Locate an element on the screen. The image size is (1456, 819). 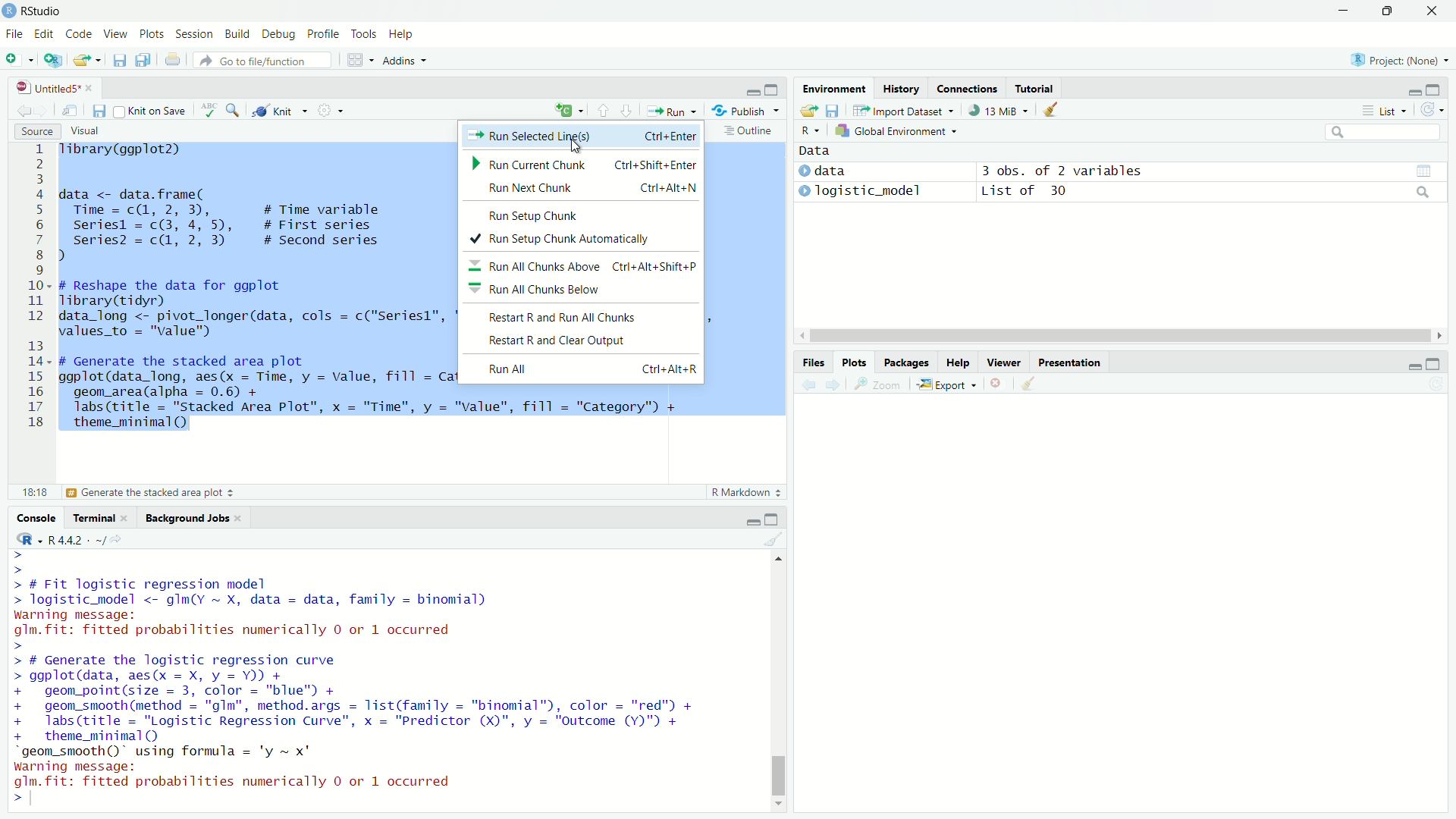
Source is located at coordinates (39, 129).